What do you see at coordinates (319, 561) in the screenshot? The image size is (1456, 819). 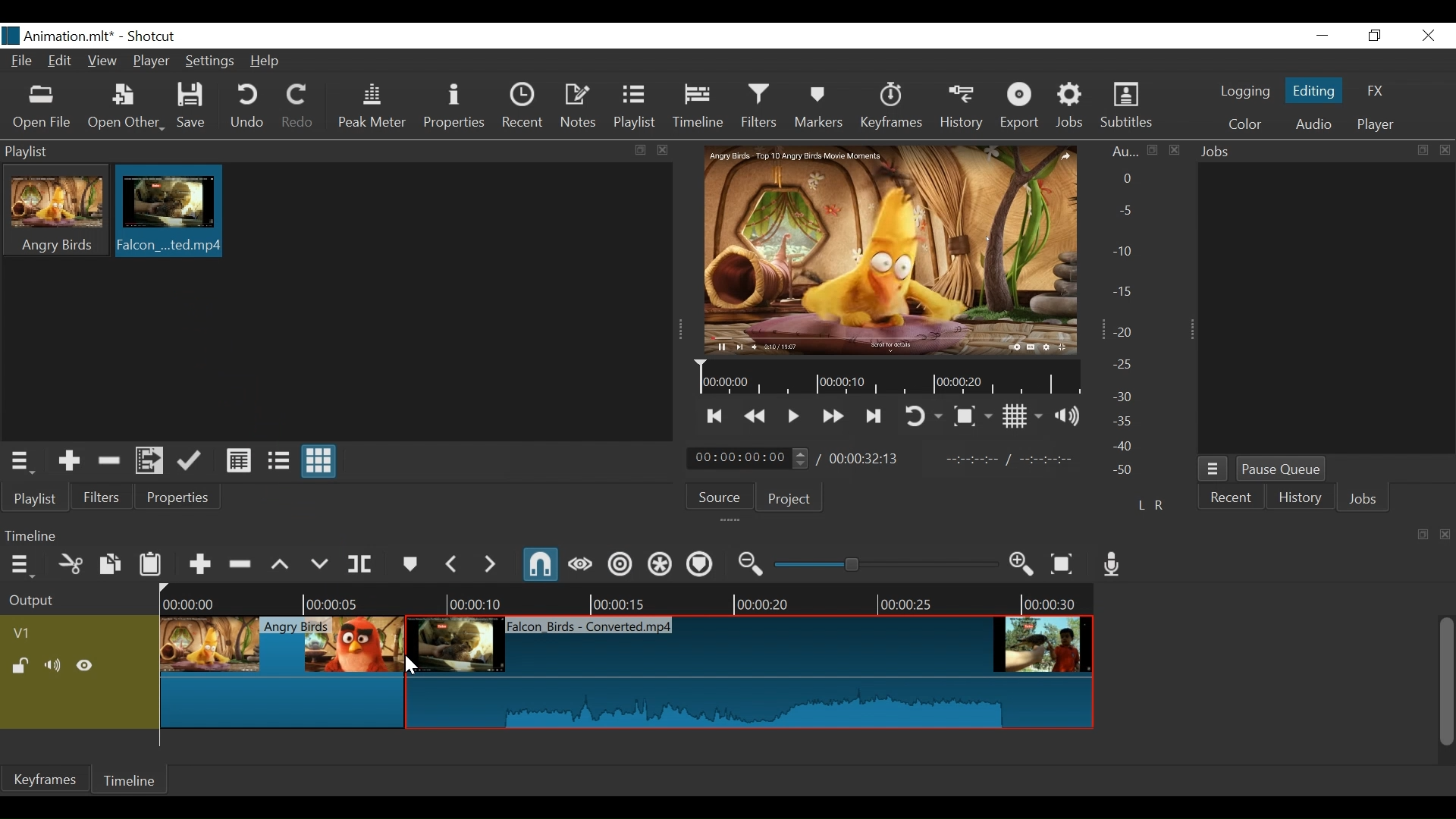 I see `Overwrite` at bounding box center [319, 561].